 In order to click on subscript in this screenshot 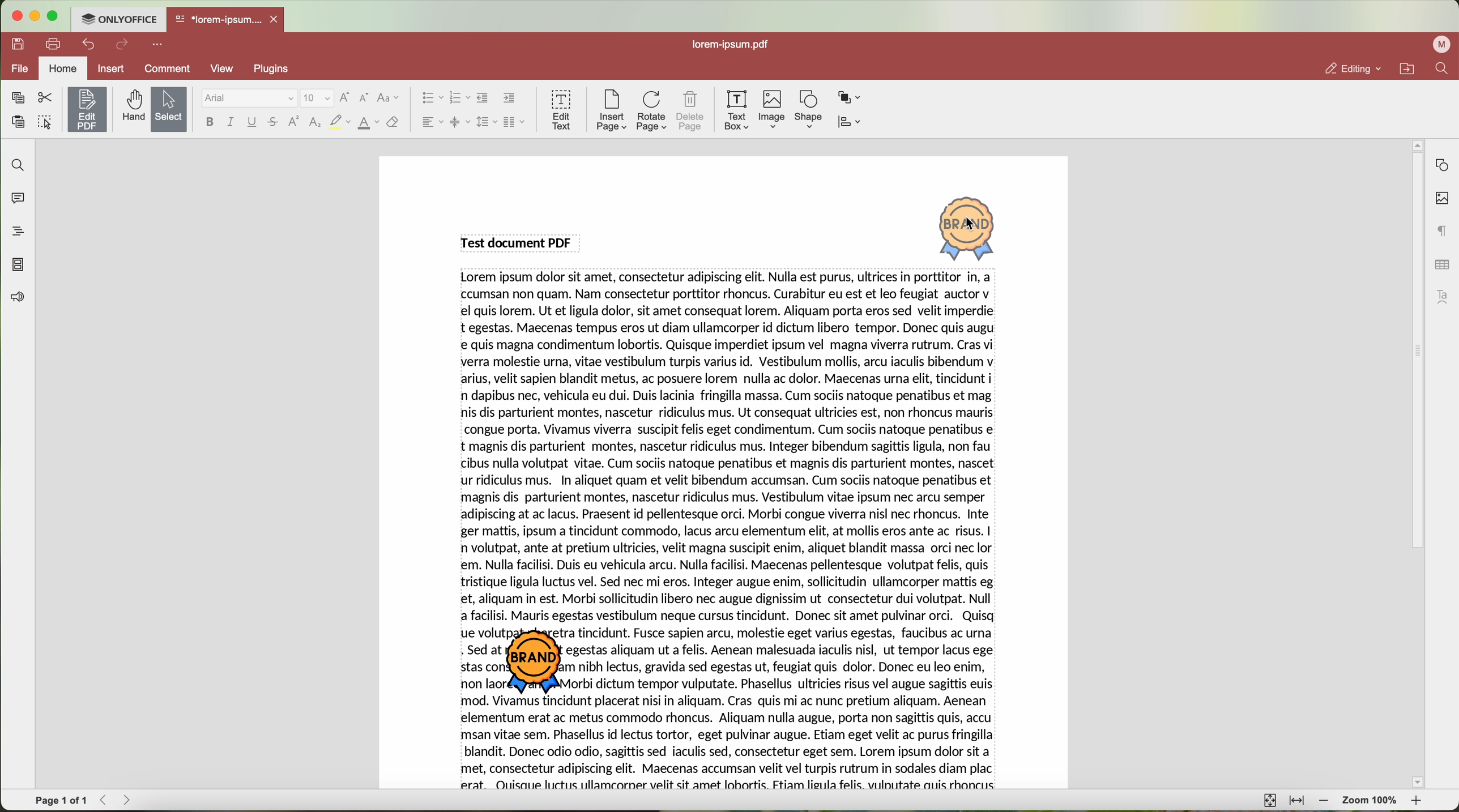, I will do `click(316, 123)`.